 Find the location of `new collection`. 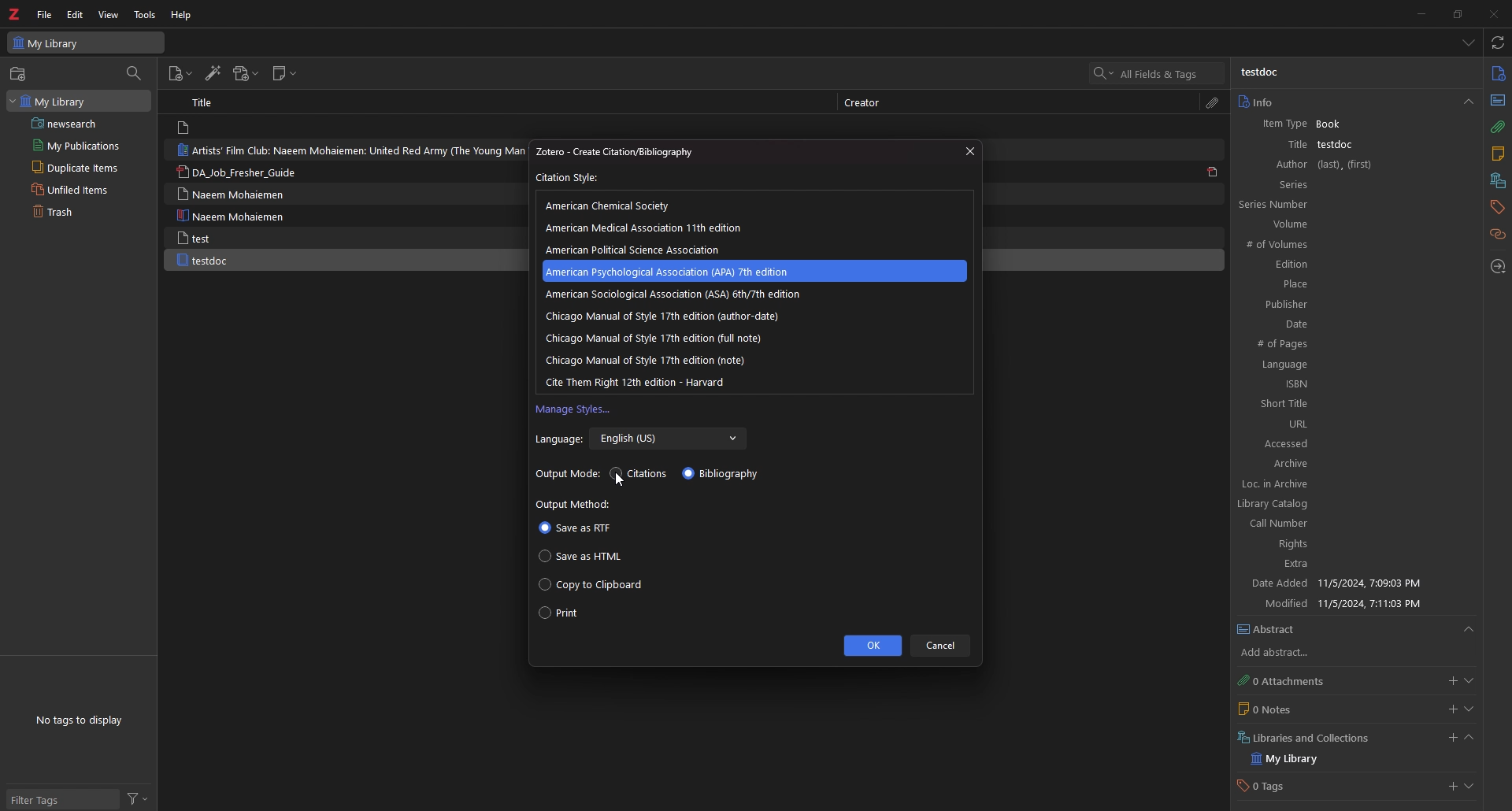

new collection is located at coordinates (20, 74).